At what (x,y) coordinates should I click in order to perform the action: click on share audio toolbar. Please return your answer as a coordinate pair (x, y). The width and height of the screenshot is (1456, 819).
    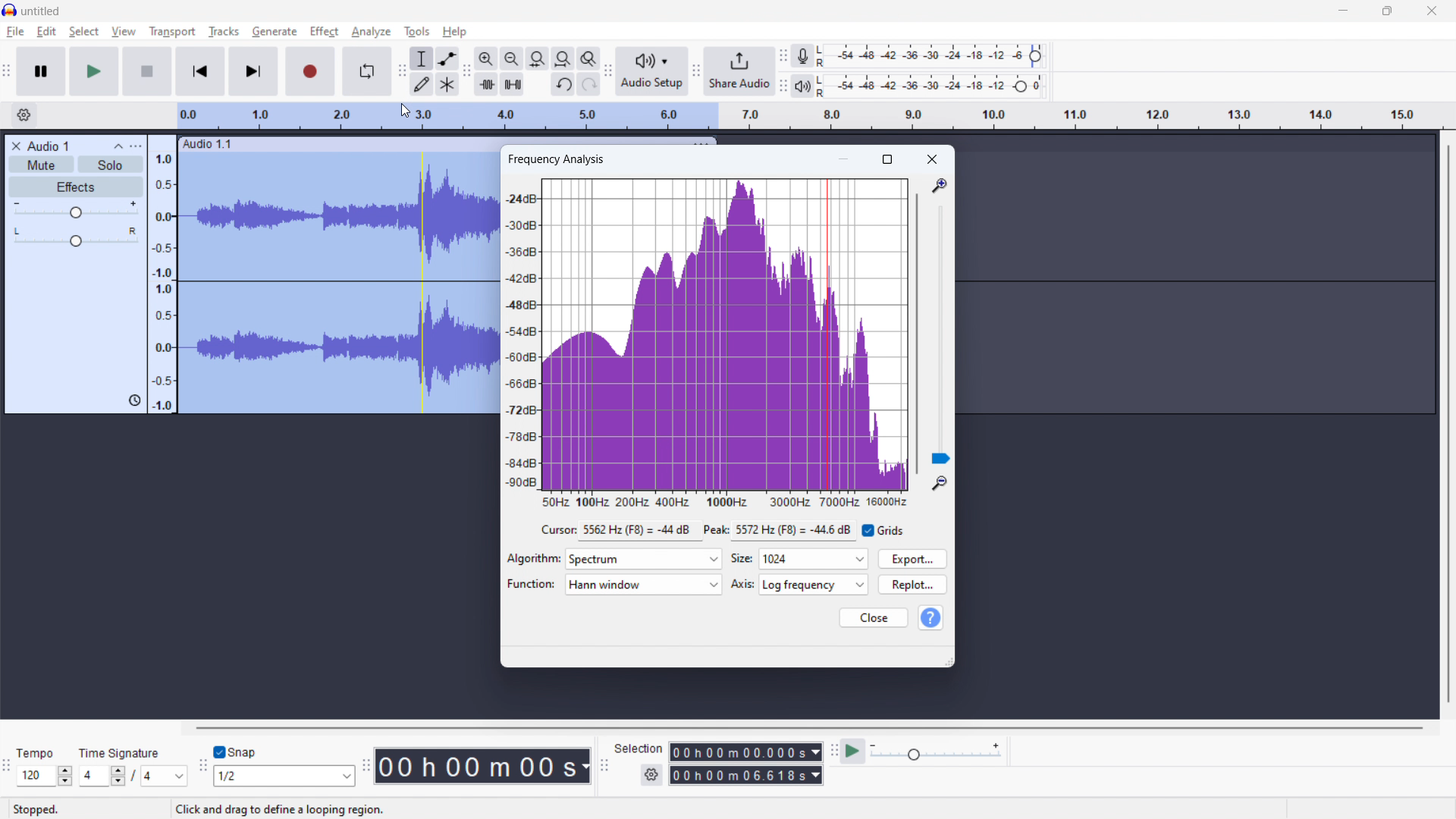
    Looking at the image, I should click on (696, 73).